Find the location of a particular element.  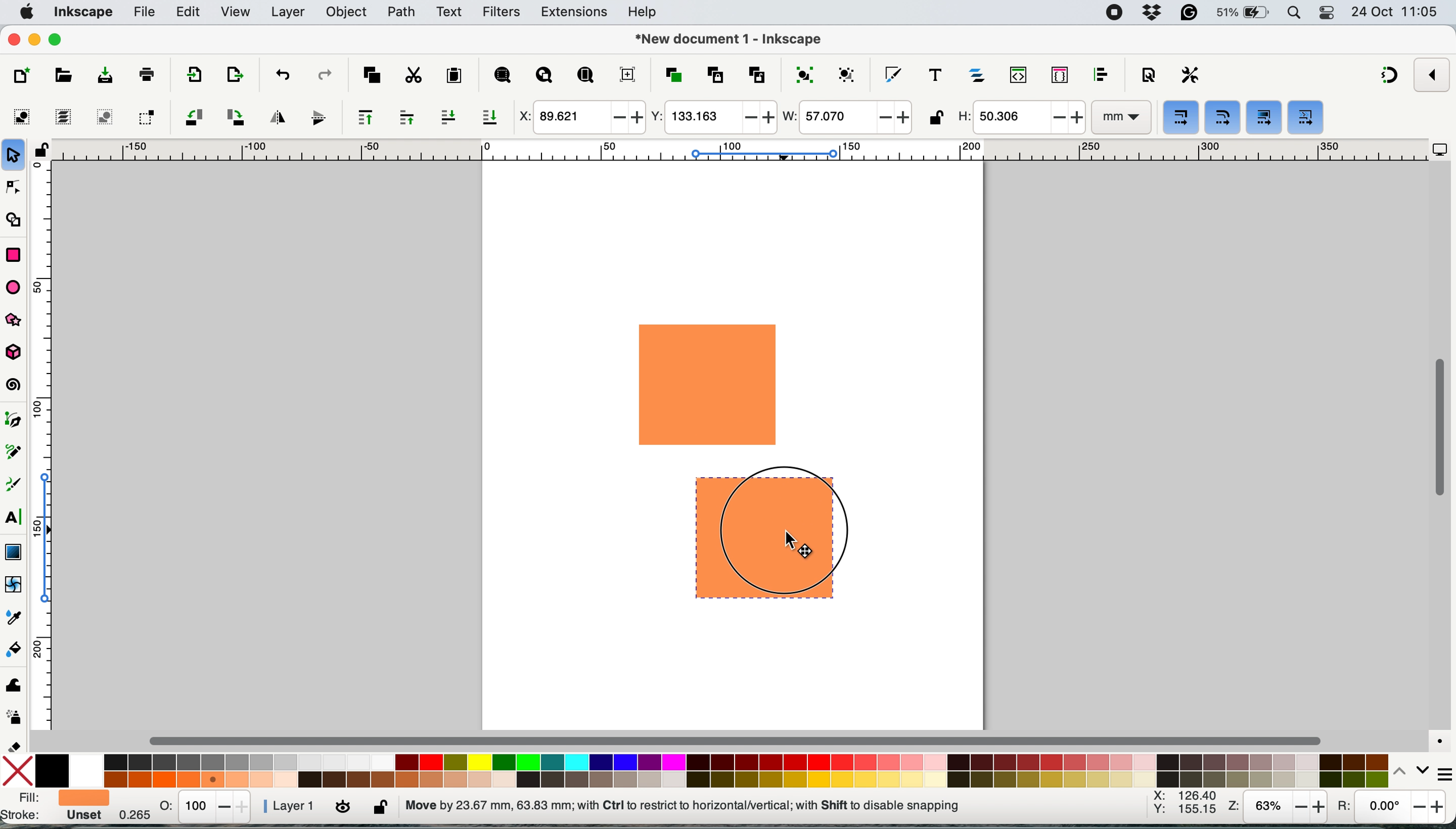

move patterns is located at coordinates (1305, 118).